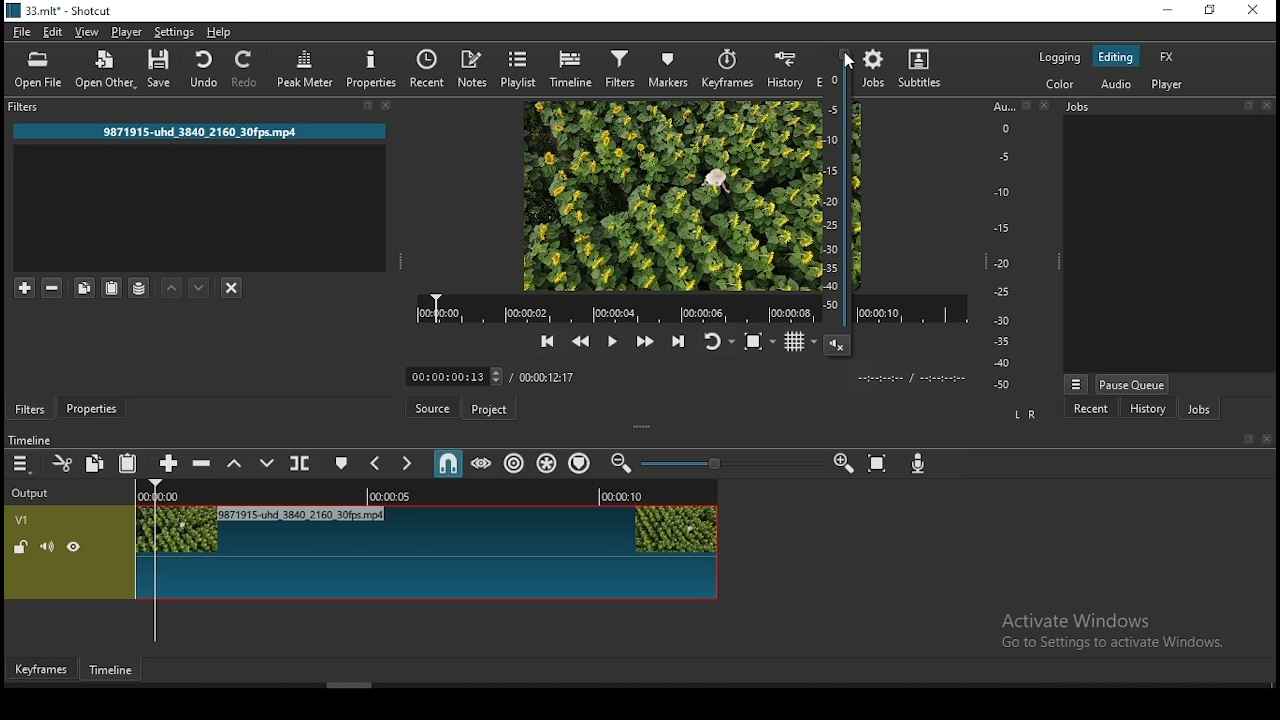 Image resolution: width=1280 pixels, height=720 pixels. What do you see at coordinates (877, 69) in the screenshot?
I see `jobs` at bounding box center [877, 69].